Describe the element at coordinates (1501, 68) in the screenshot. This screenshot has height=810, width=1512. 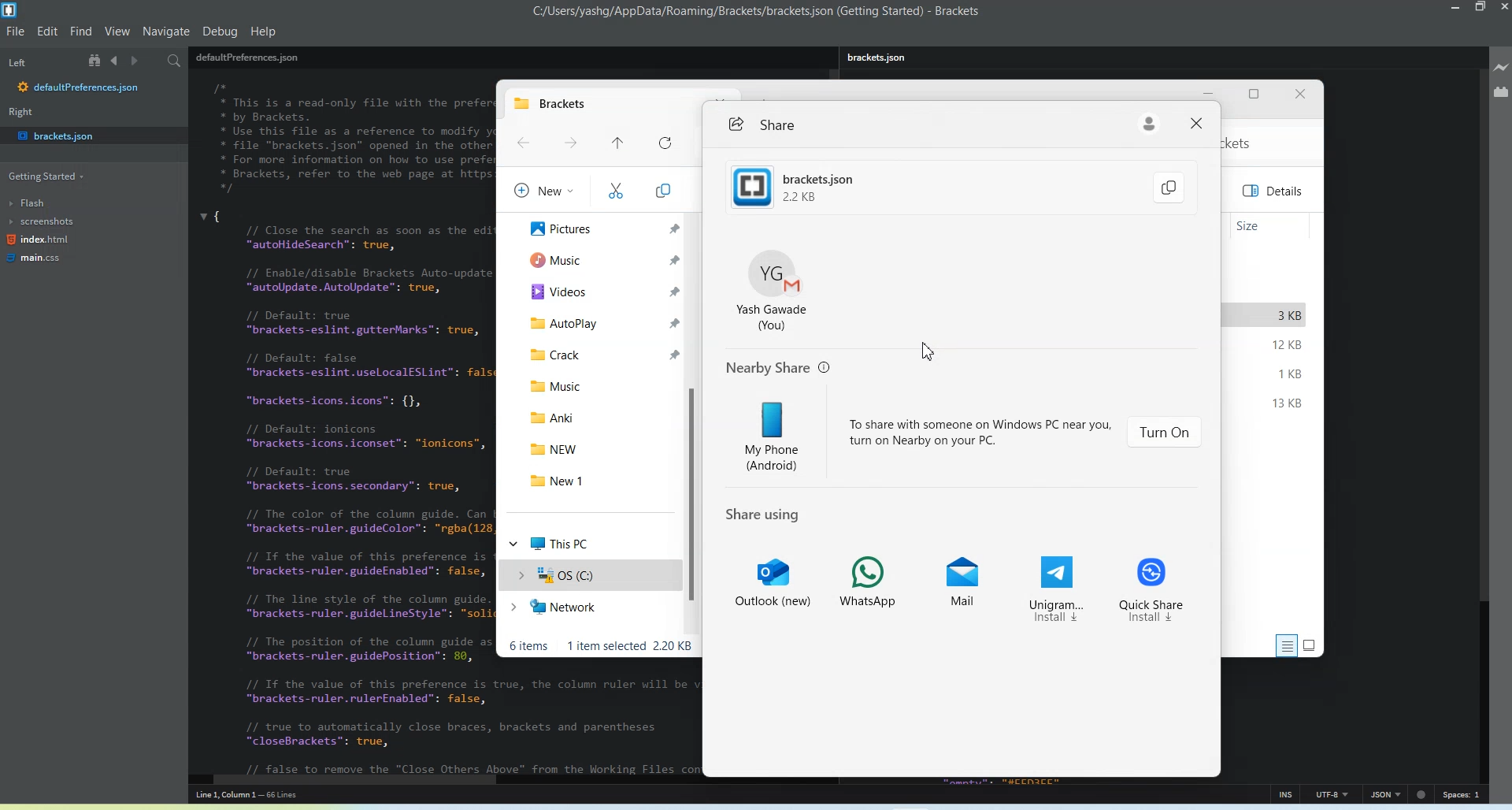
I see `Live Preview` at that location.